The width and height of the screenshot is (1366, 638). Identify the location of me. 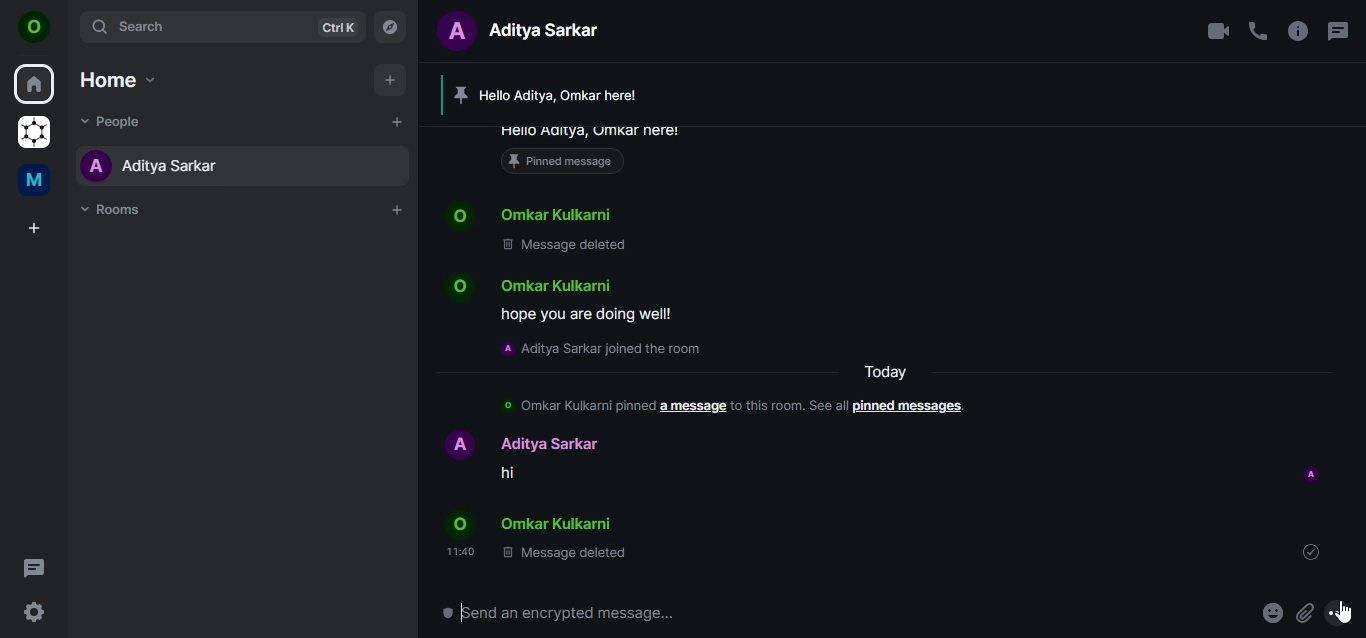
(37, 183).